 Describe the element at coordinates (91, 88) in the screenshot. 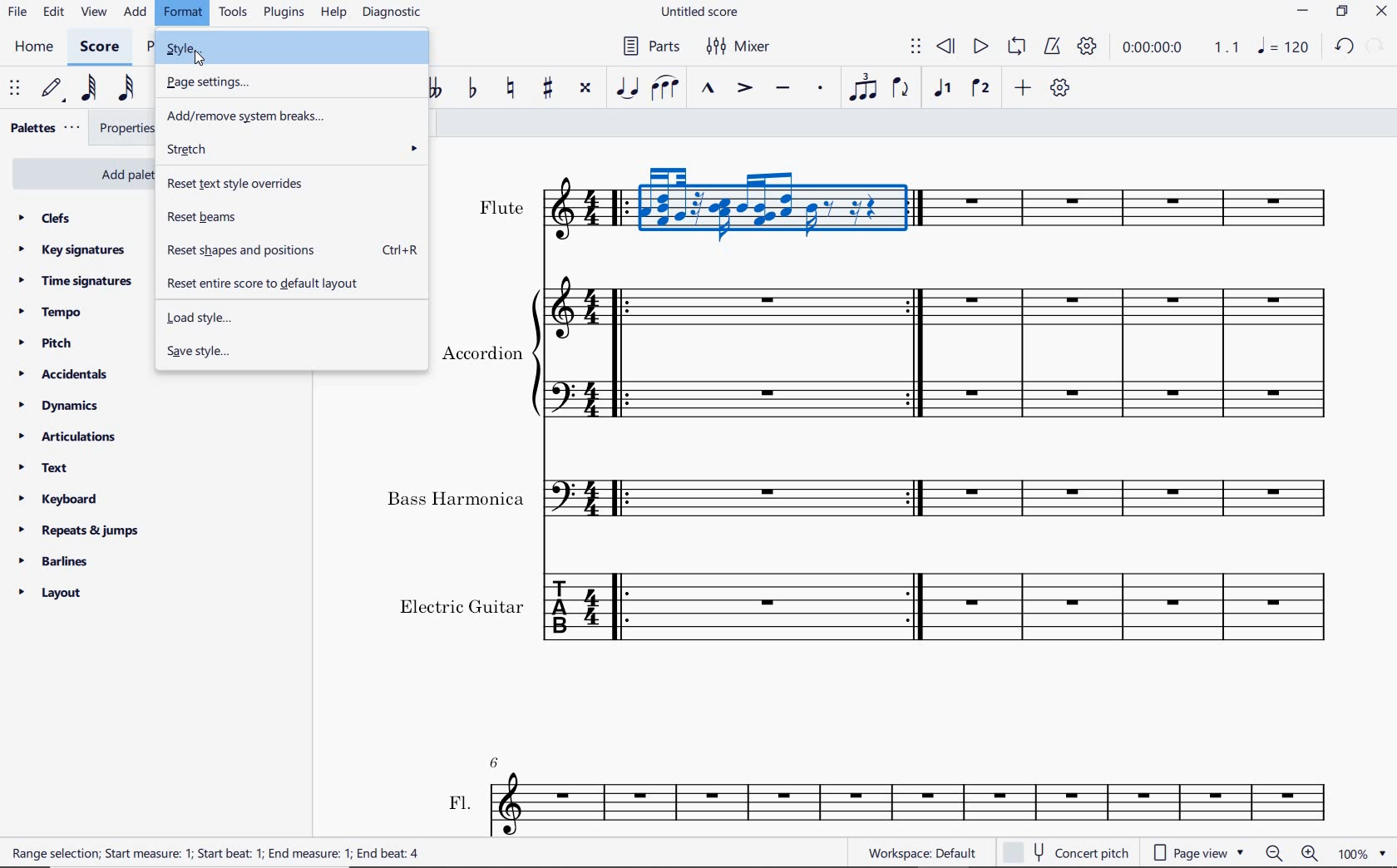

I see `64th note` at that location.